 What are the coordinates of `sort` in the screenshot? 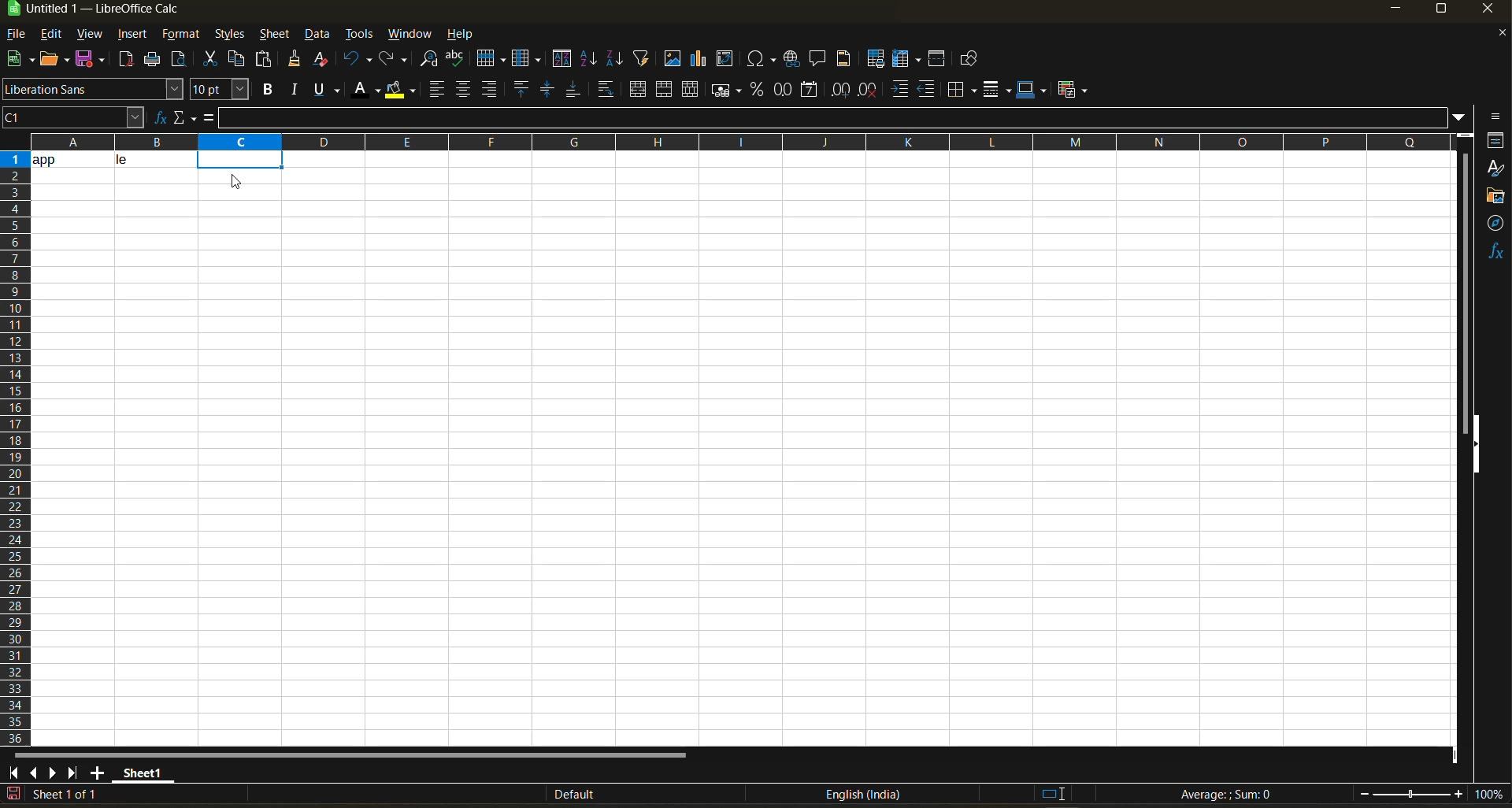 It's located at (565, 59).